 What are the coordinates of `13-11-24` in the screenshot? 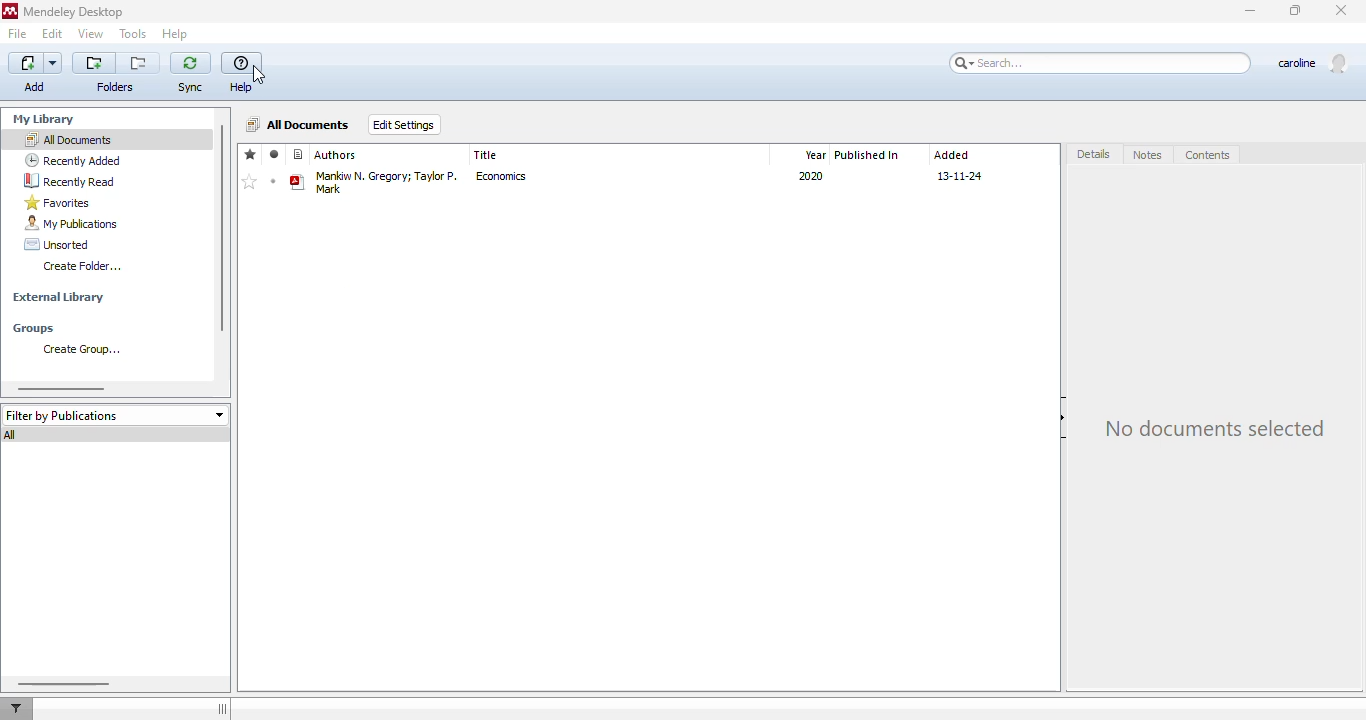 It's located at (958, 176).